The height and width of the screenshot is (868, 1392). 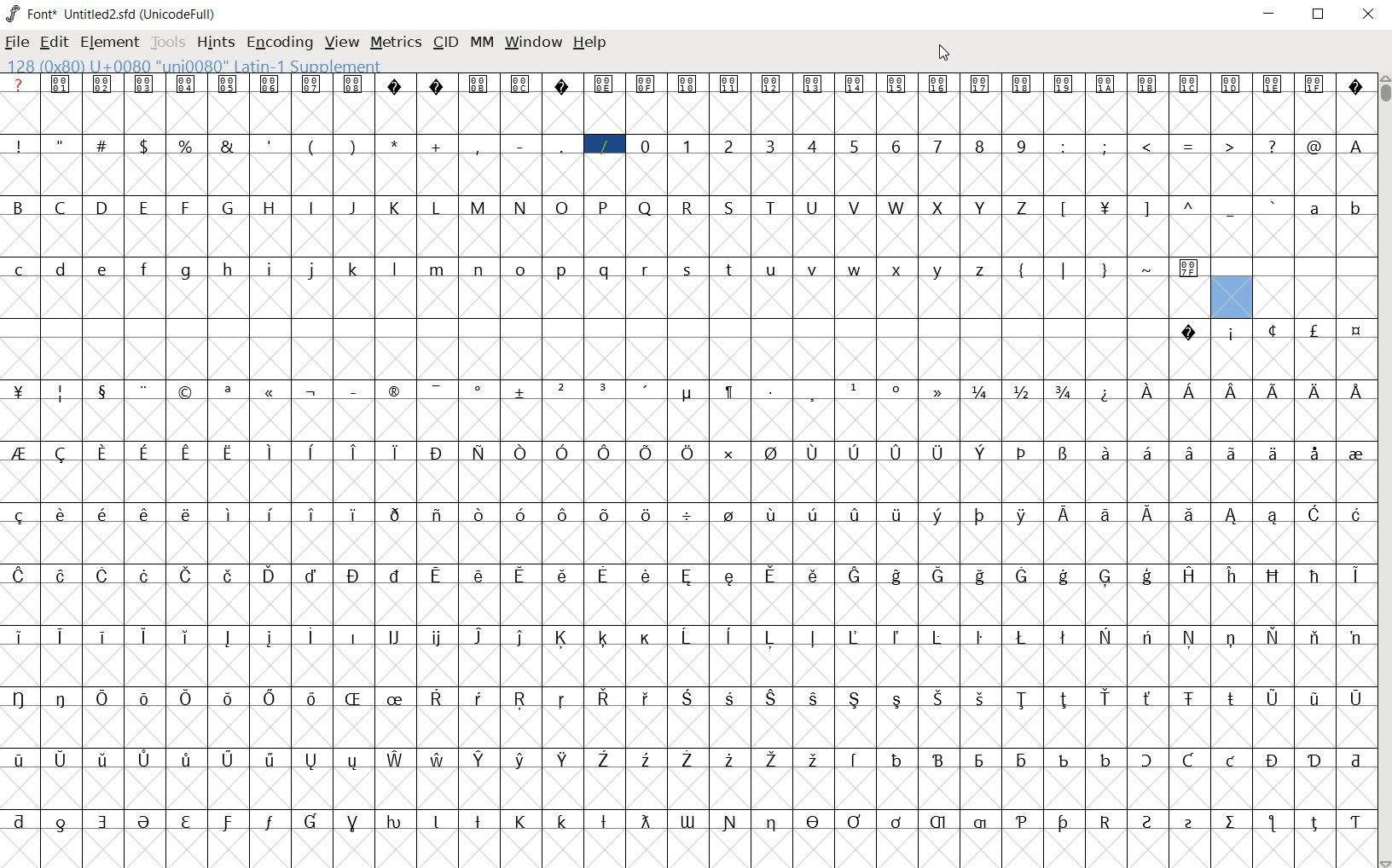 What do you see at coordinates (102, 84) in the screenshot?
I see `glyph` at bounding box center [102, 84].